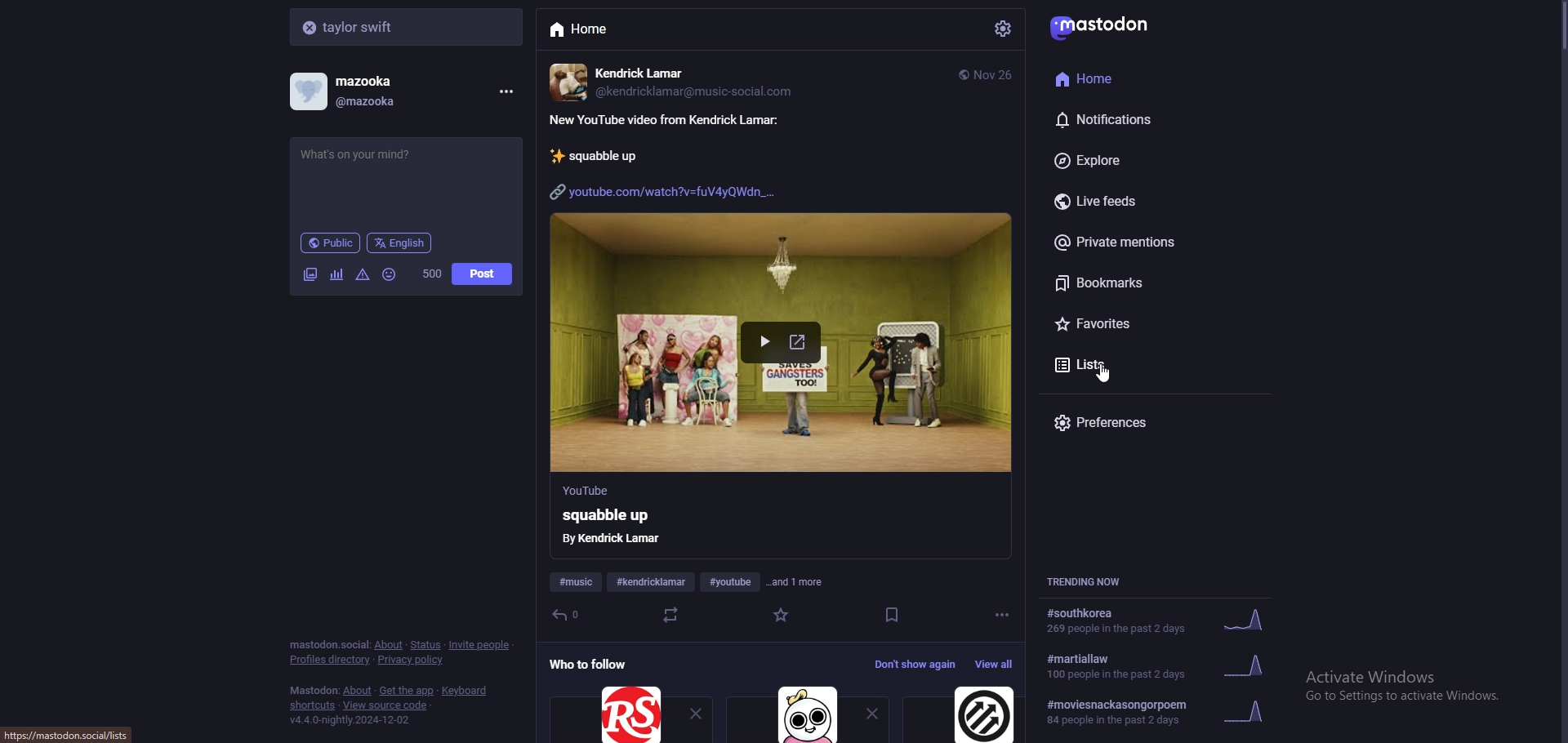 Image resolution: width=1568 pixels, height=743 pixels. Describe the element at coordinates (1168, 665) in the screenshot. I see `trending` at that location.